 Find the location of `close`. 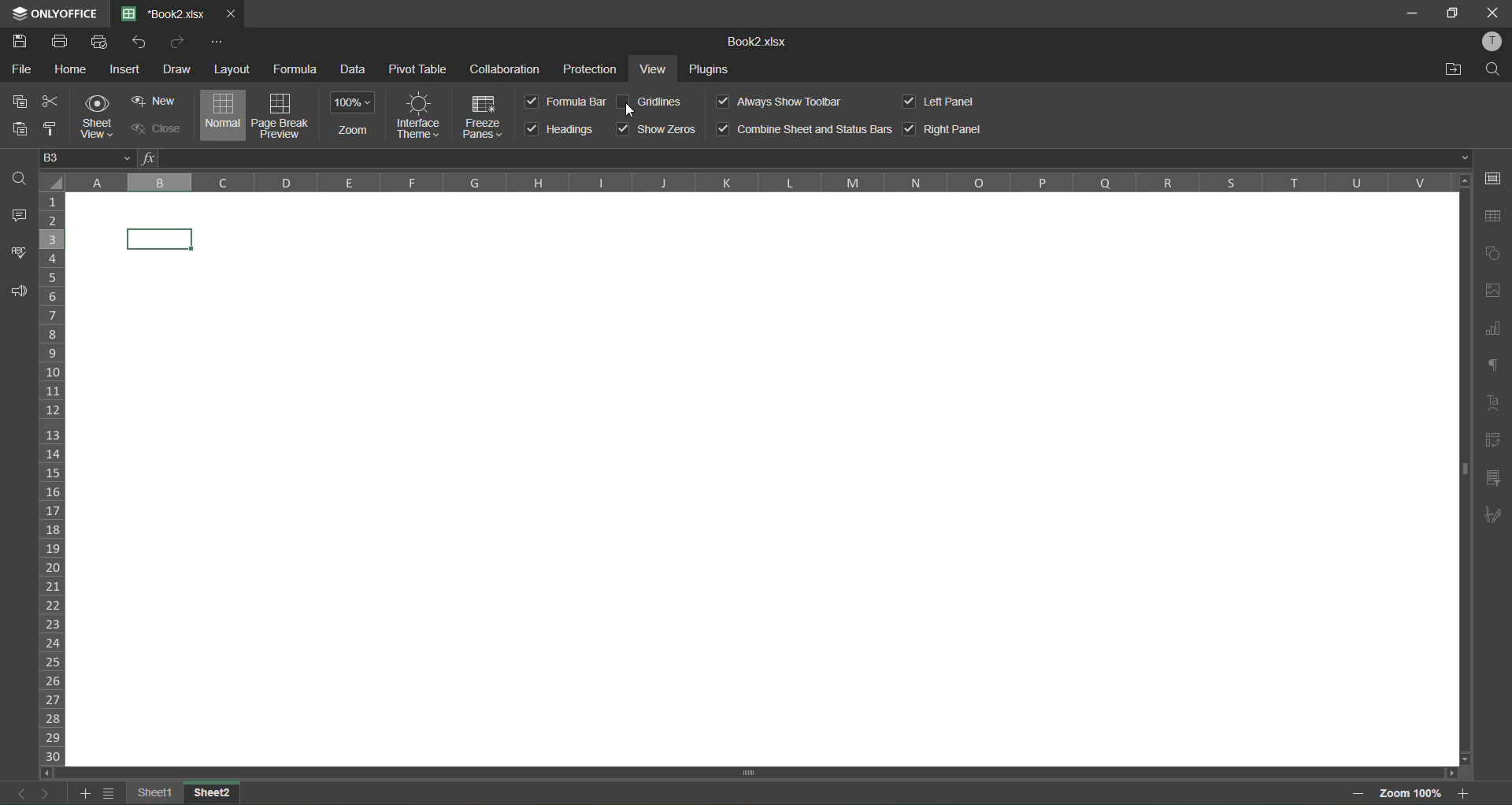

close is located at coordinates (1492, 13).